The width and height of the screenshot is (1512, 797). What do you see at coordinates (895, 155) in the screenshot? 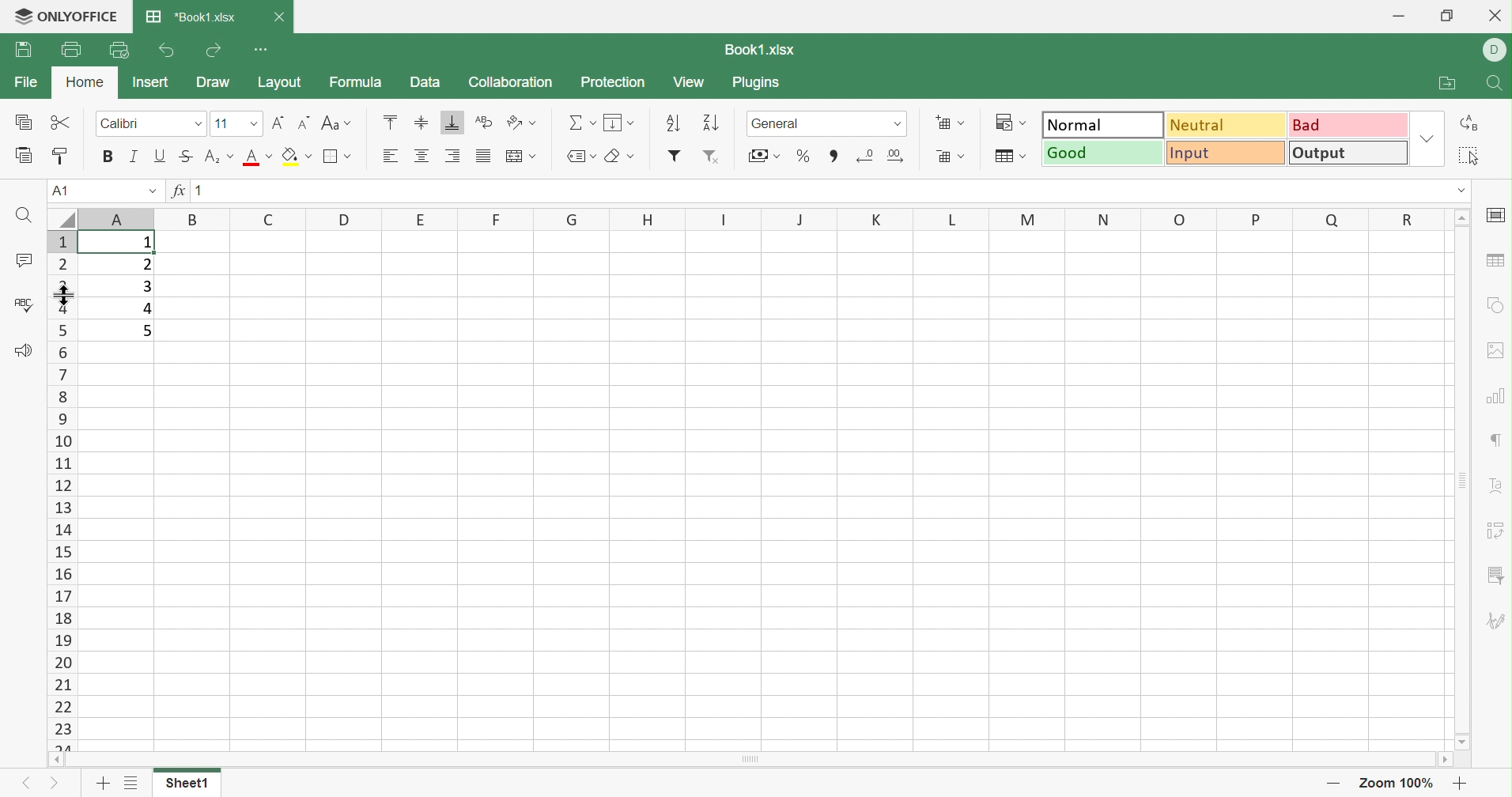
I see `Increment cells` at bounding box center [895, 155].